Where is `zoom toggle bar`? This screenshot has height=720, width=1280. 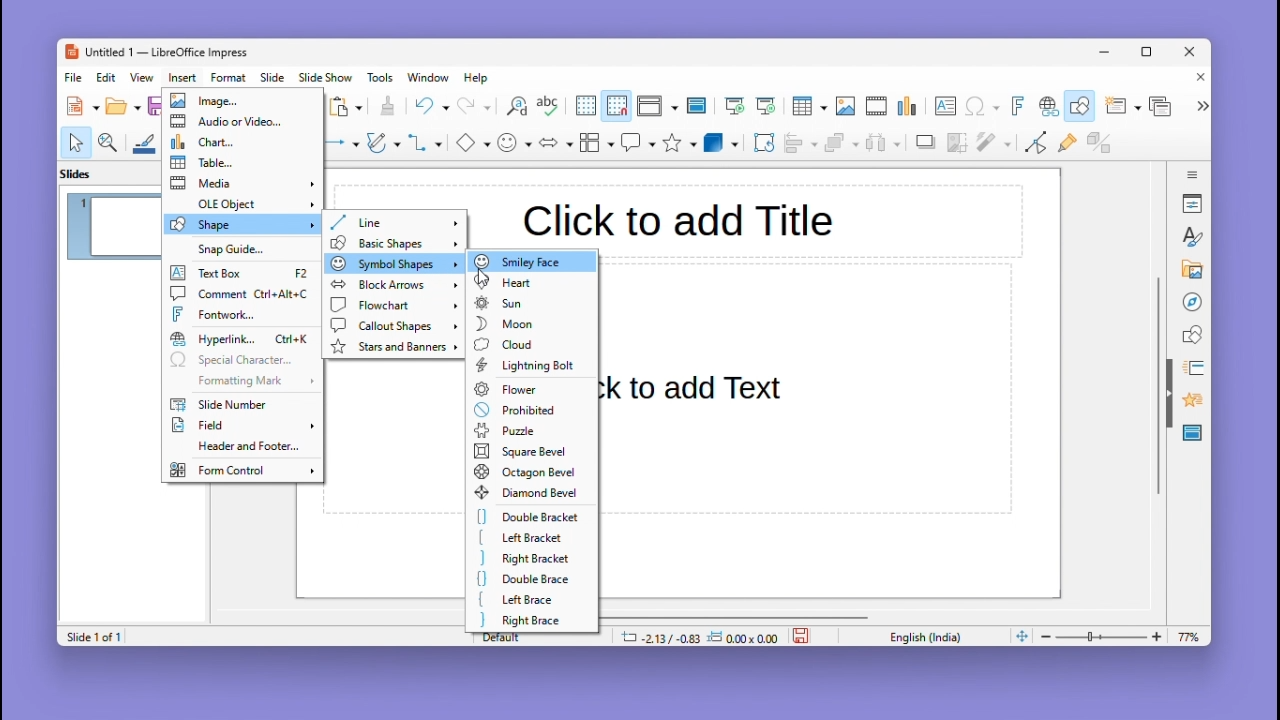 zoom toggle bar is located at coordinates (1106, 636).